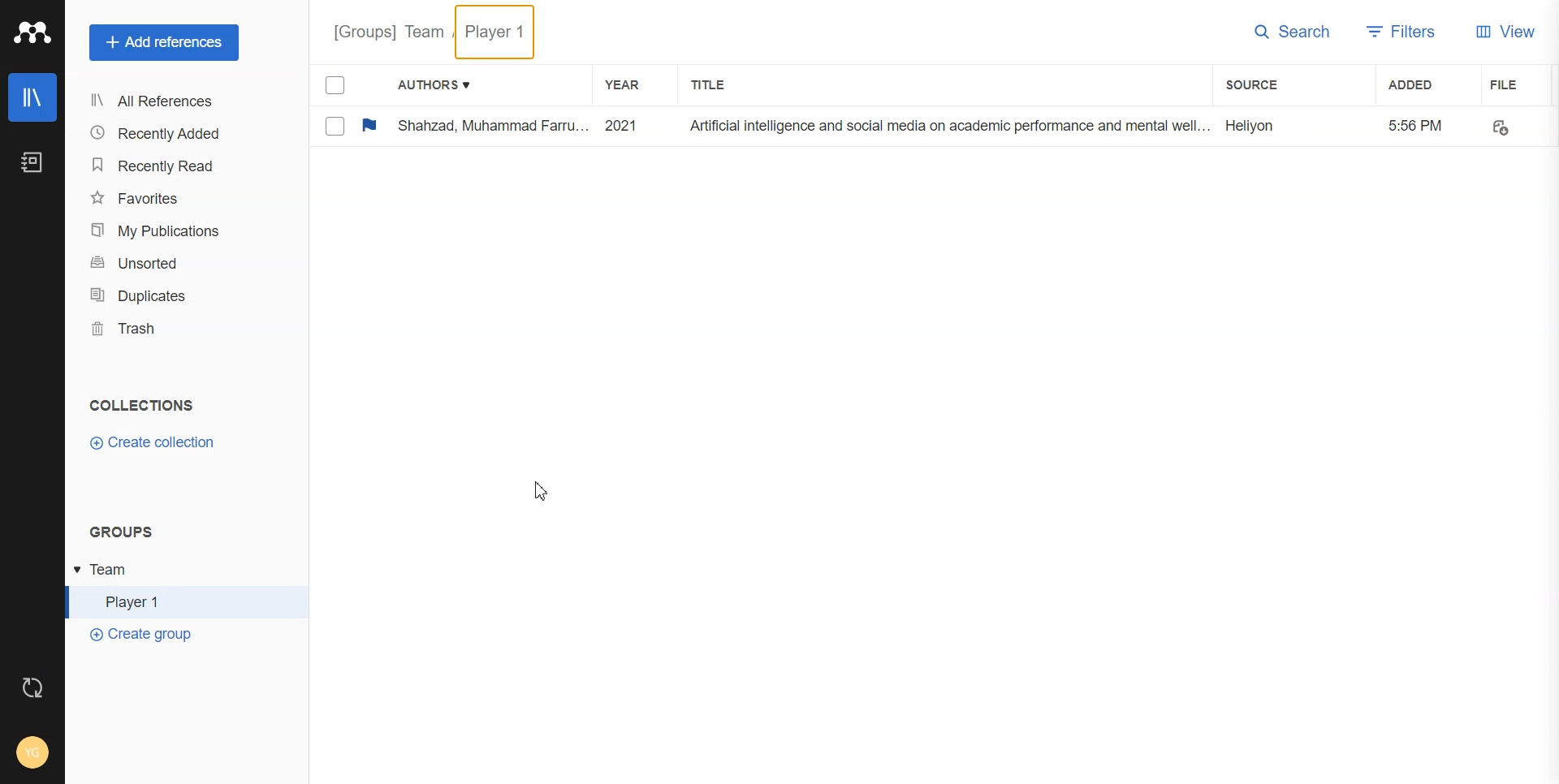 The height and width of the screenshot is (784, 1559). What do you see at coordinates (121, 532) in the screenshot?
I see `Text 2` at bounding box center [121, 532].